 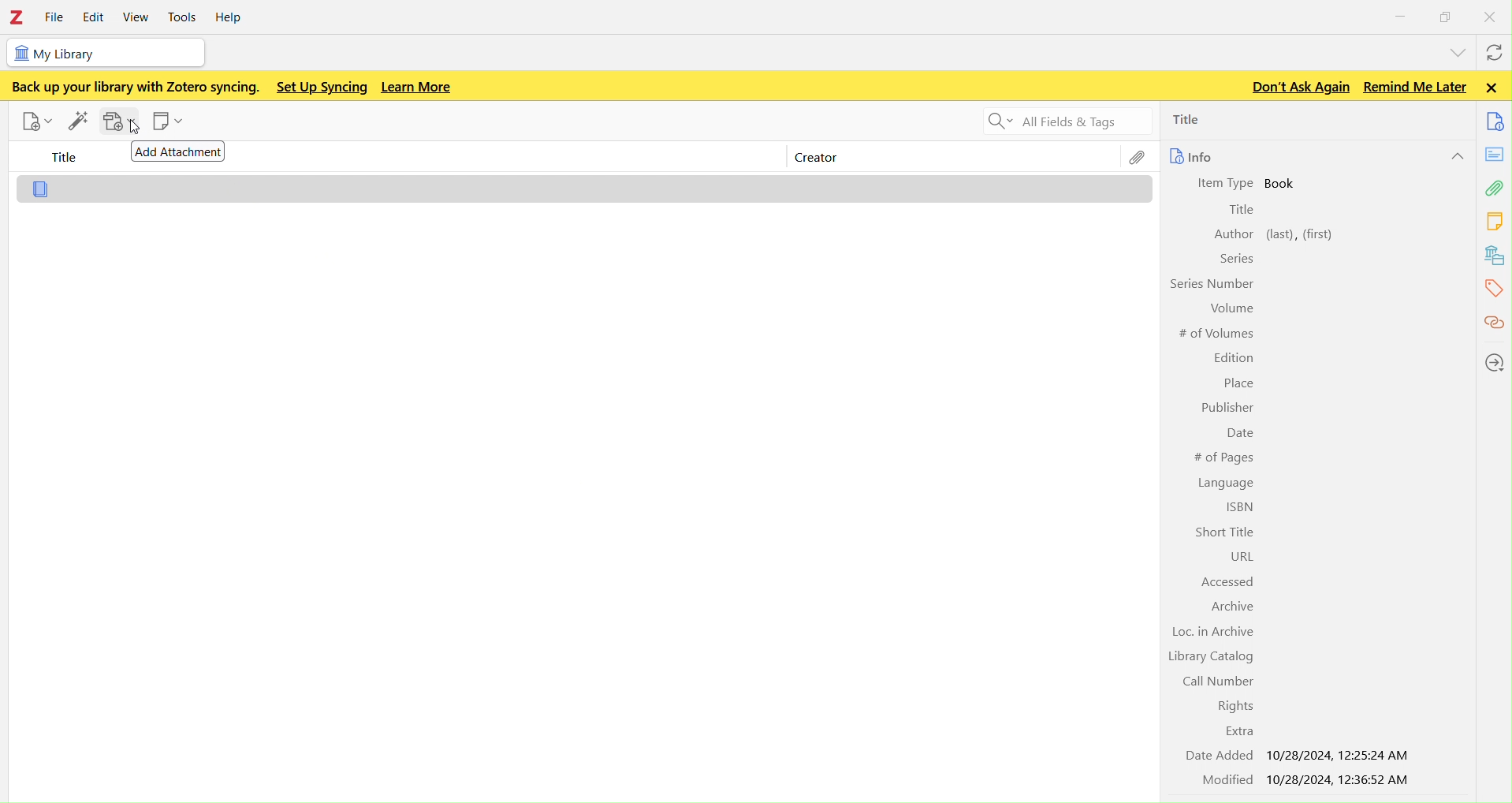 I want to click on Language, so click(x=1226, y=483).